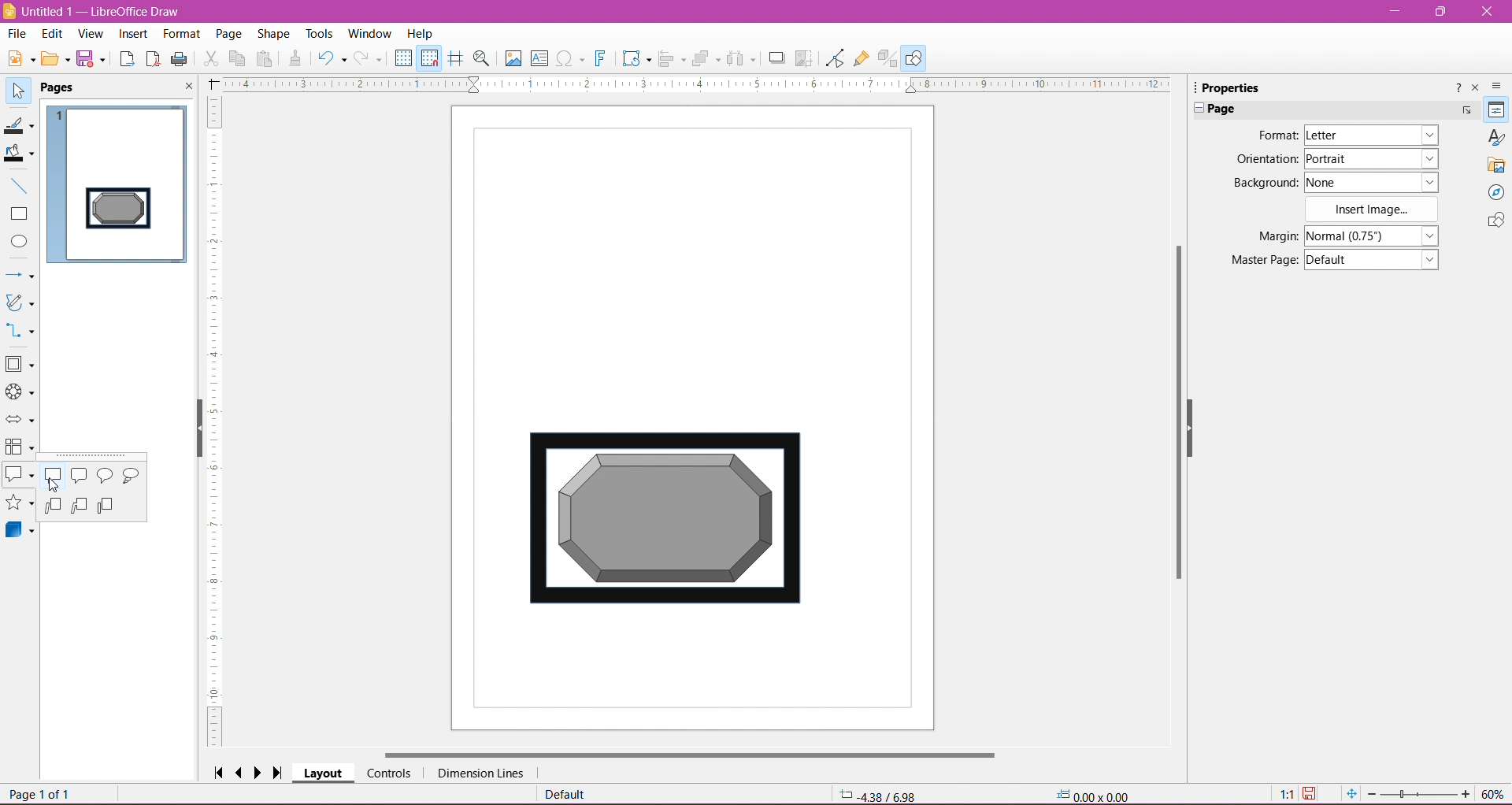 This screenshot has height=805, width=1512. What do you see at coordinates (1262, 183) in the screenshot?
I see `Background` at bounding box center [1262, 183].